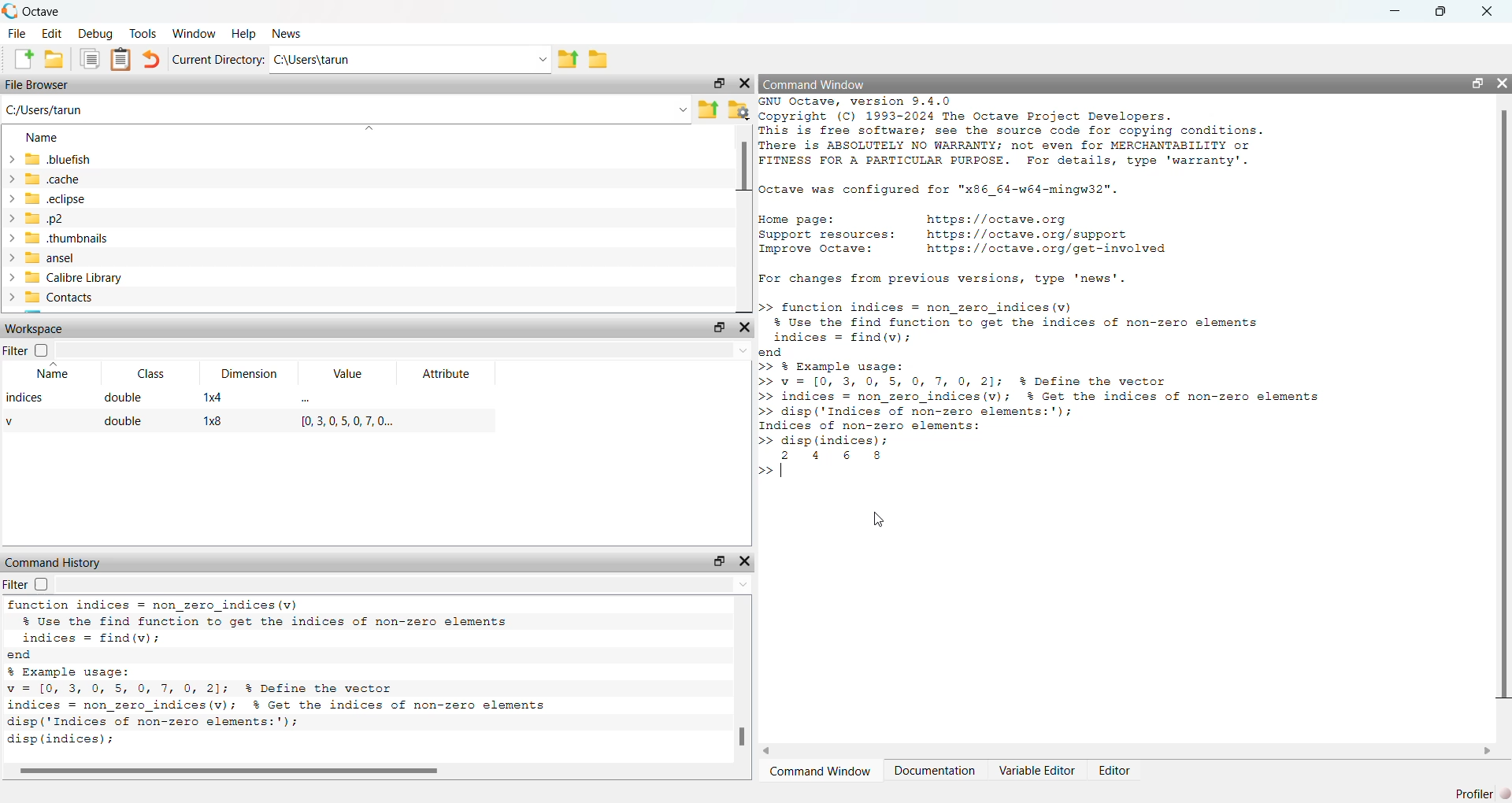 The height and width of the screenshot is (803, 1512). What do you see at coordinates (56, 373) in the screenshot?
I see `Name` at bounding box center [56, 373].